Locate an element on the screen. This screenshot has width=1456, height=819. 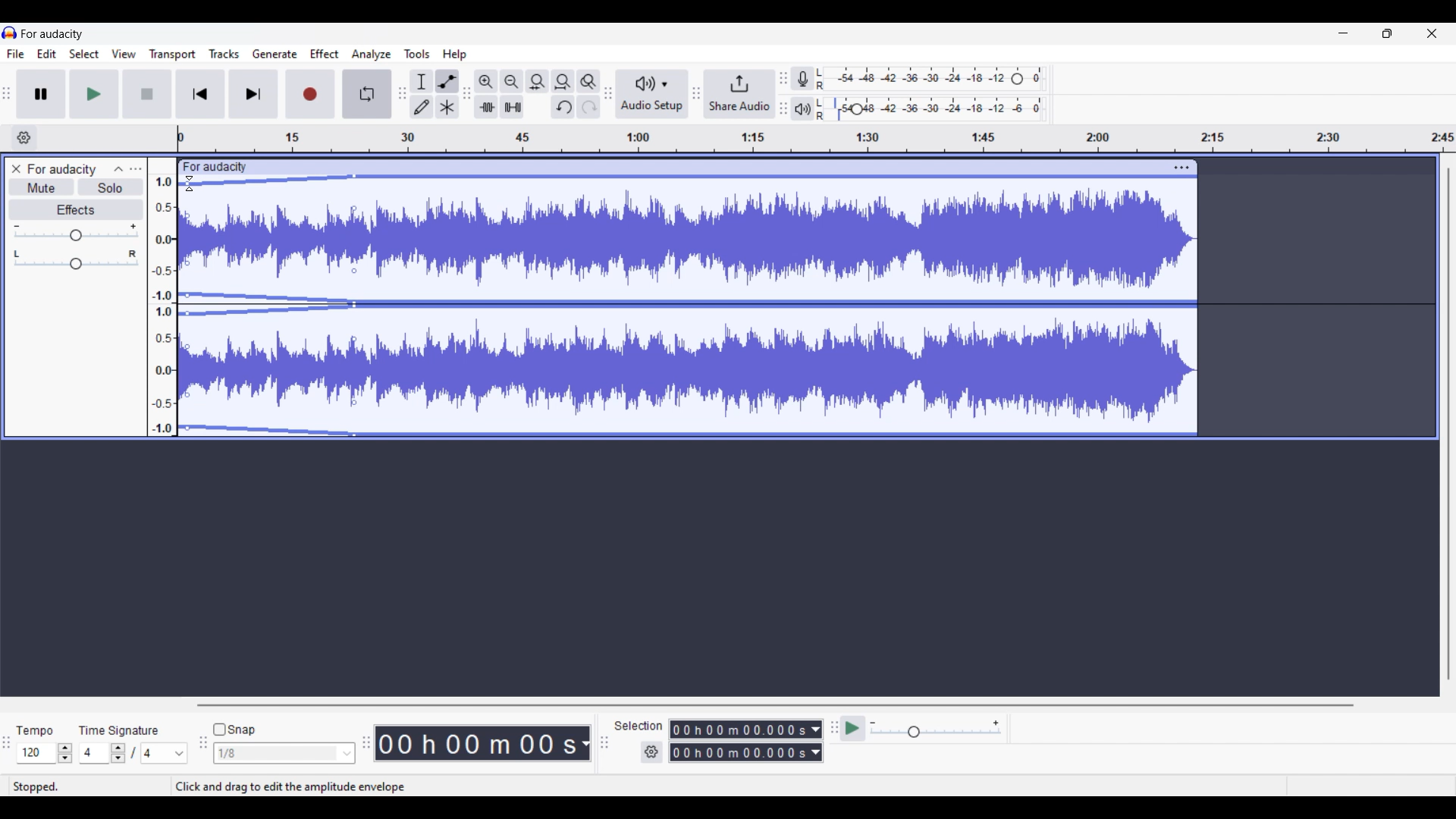
Effect is located at coordinates (325, 53).